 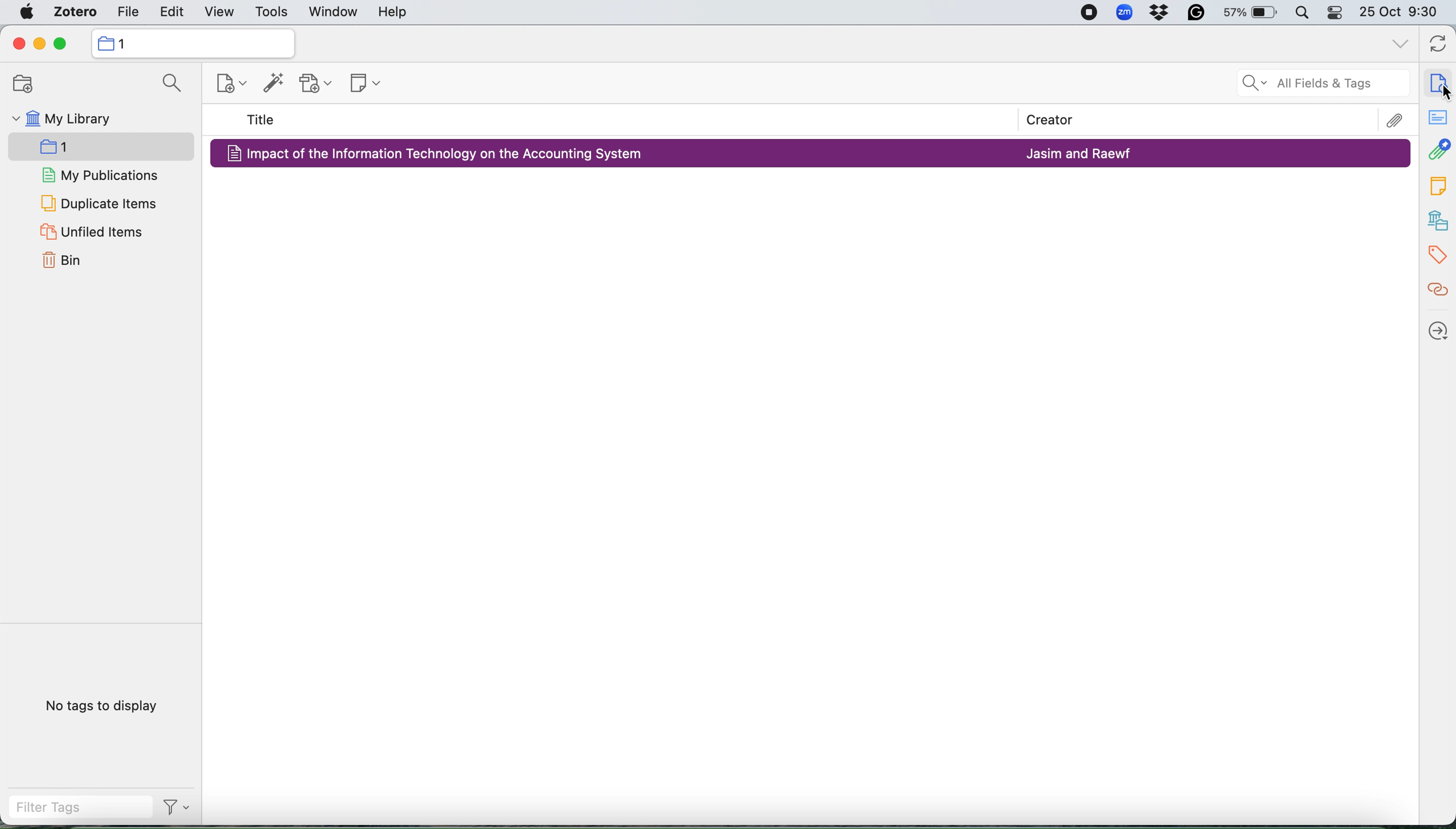 What do you see at coordinates (1437, 329) in the screenshot?
I see `locate` at bounding box center [1437, 329].